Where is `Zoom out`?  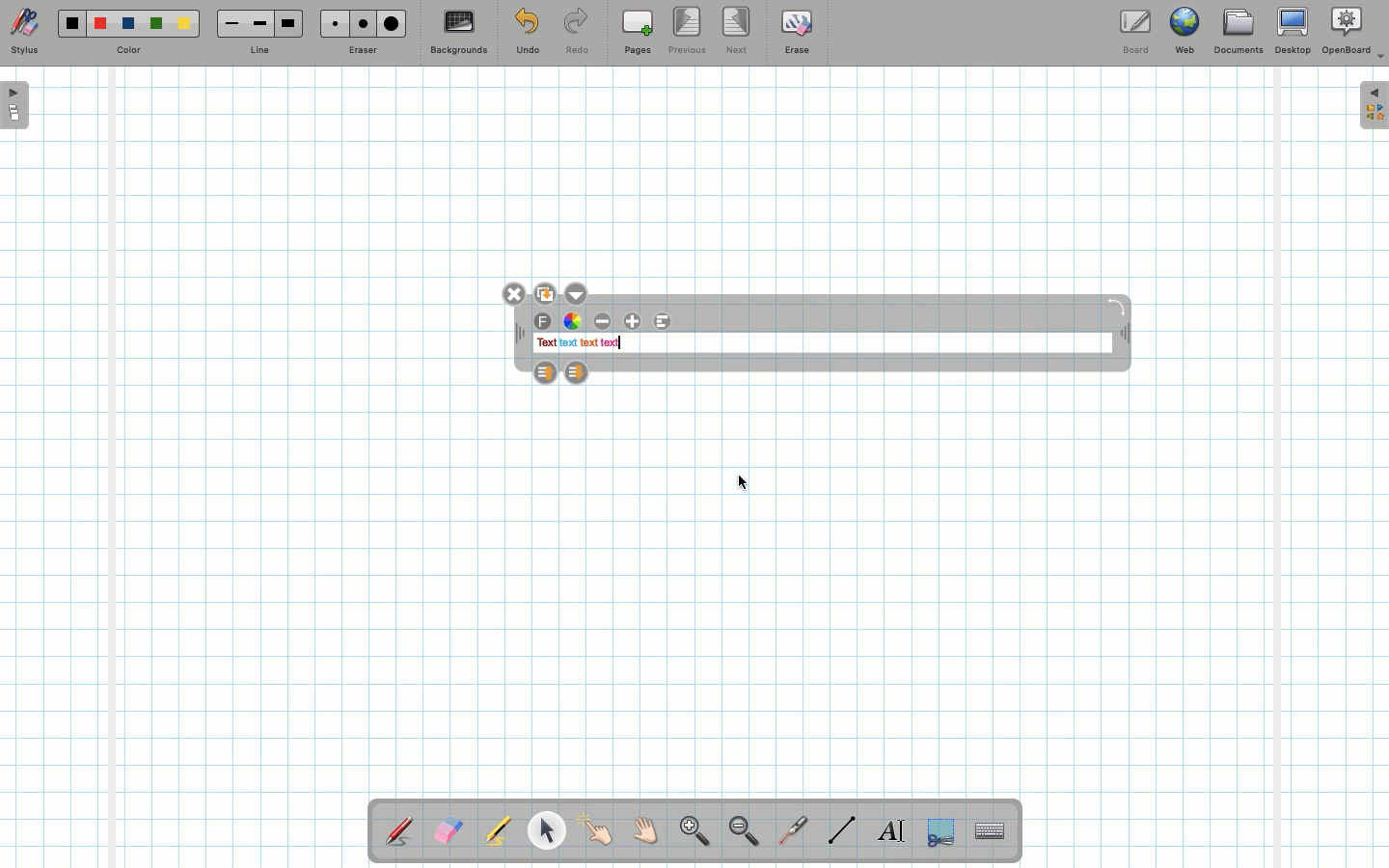
Zoom out is located at coordinates (744, 832).